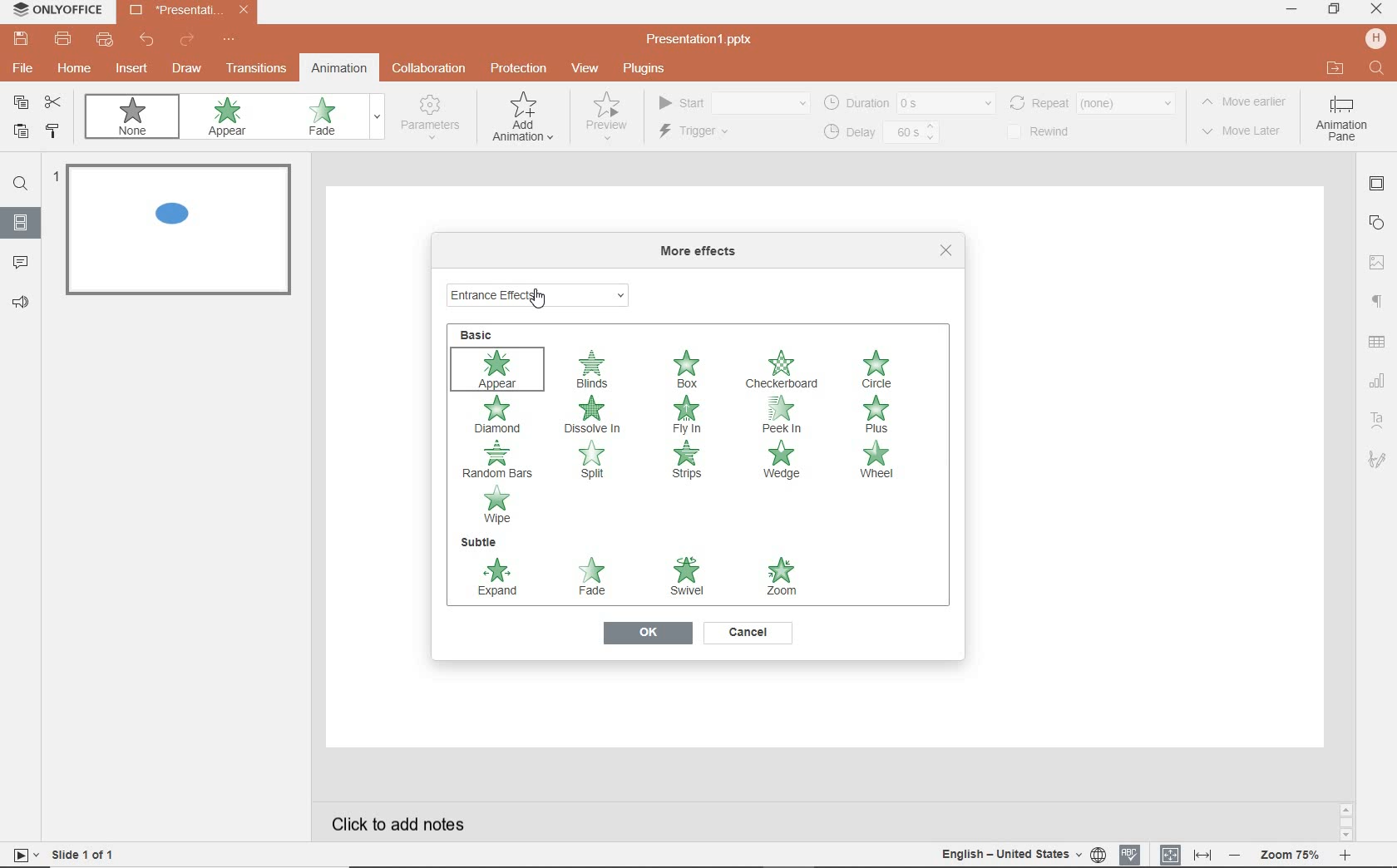  Describe the element at coordinates (716, 133) in the screenshot. I see `trigger` at that location.